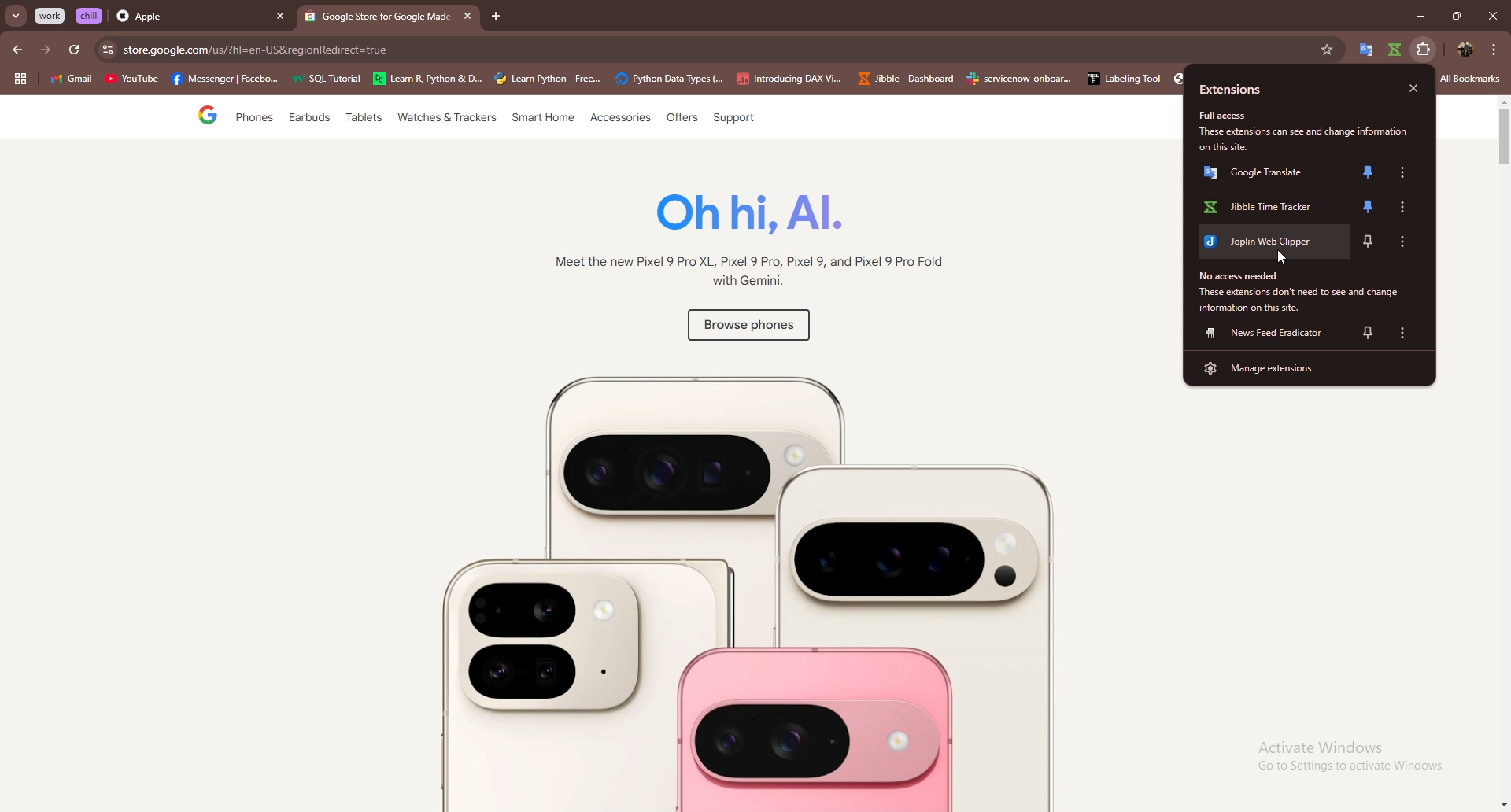 Image resolution: width=1511 pixels, height=812 pixels. I want to click on site settings, so click(106, 50).